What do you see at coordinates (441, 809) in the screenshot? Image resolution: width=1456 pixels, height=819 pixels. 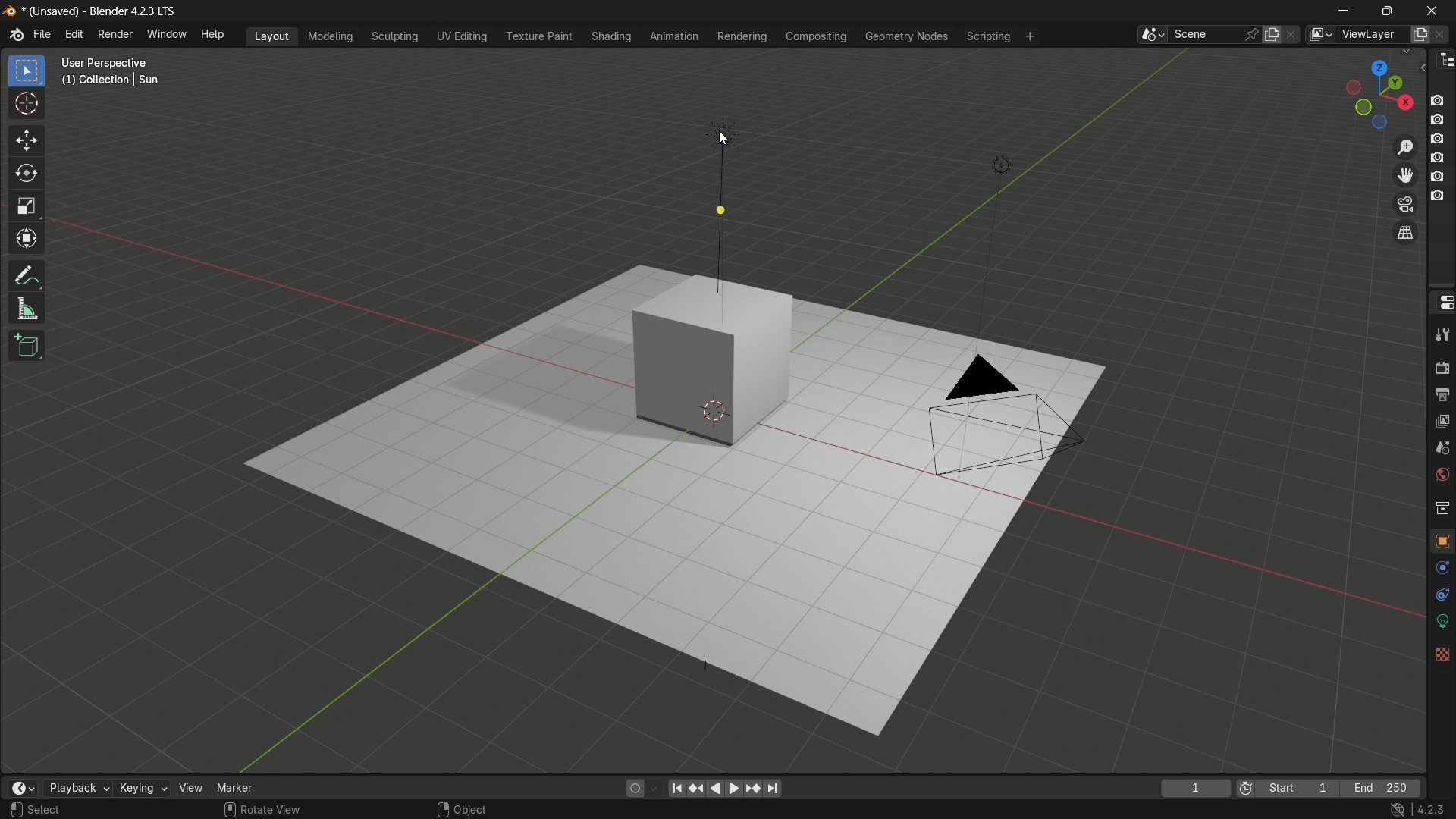 I see `right click` at bounding box center [441, 809].